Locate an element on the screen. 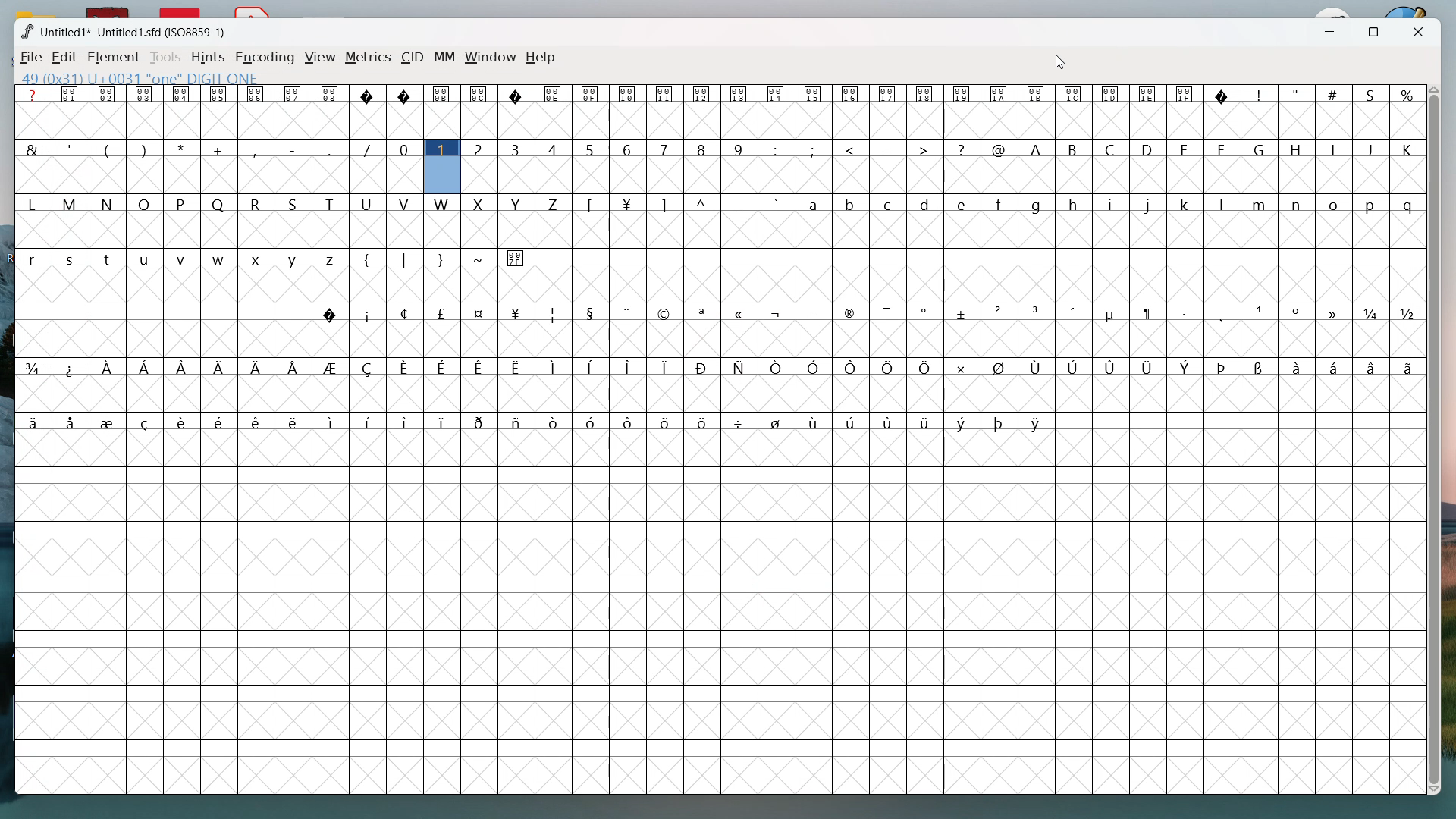  4 is located at coordinates (554, 149).